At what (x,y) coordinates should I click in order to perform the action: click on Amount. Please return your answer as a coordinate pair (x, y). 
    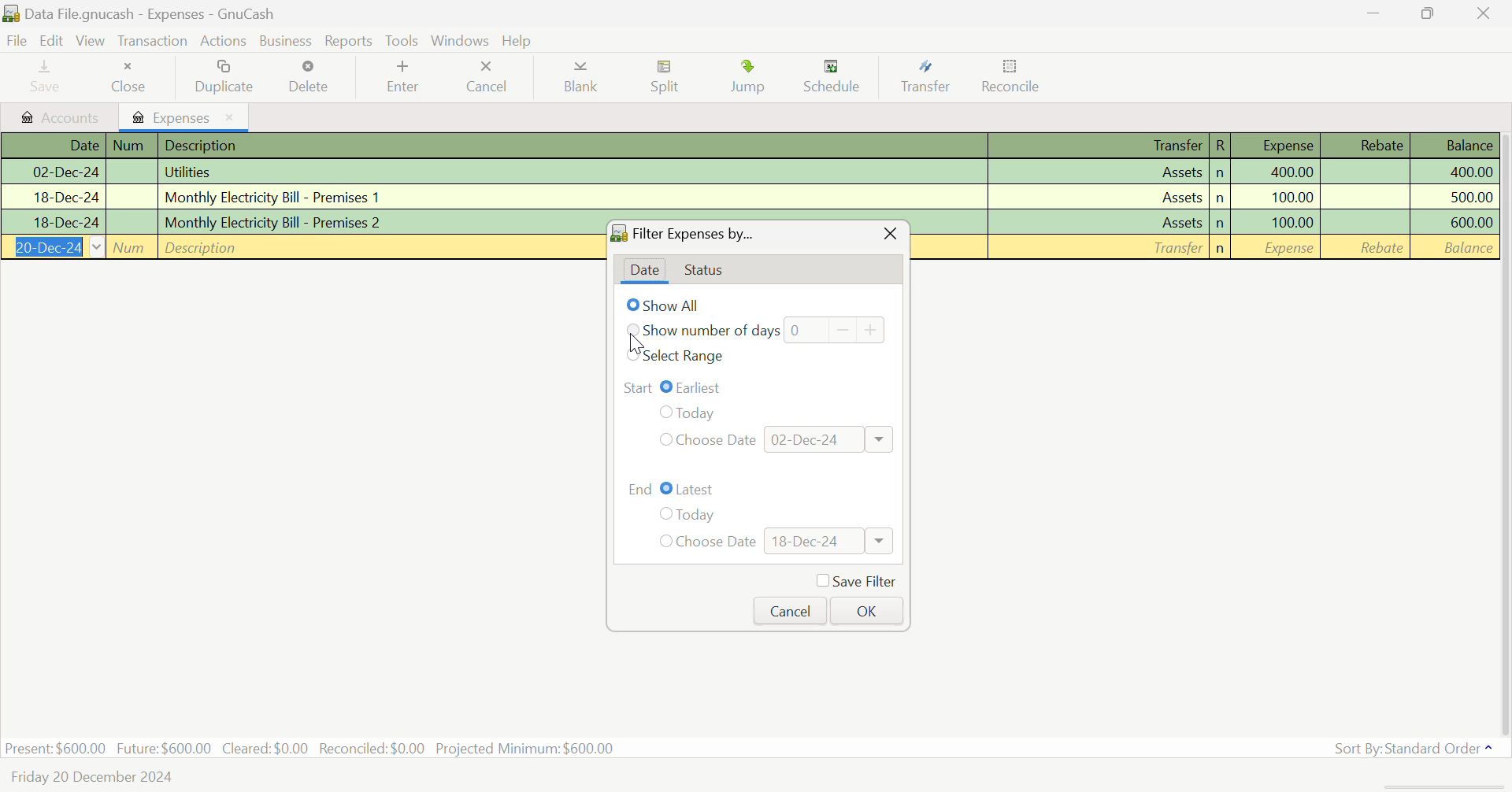
    Looking at the image, I should click on (1291, 198).